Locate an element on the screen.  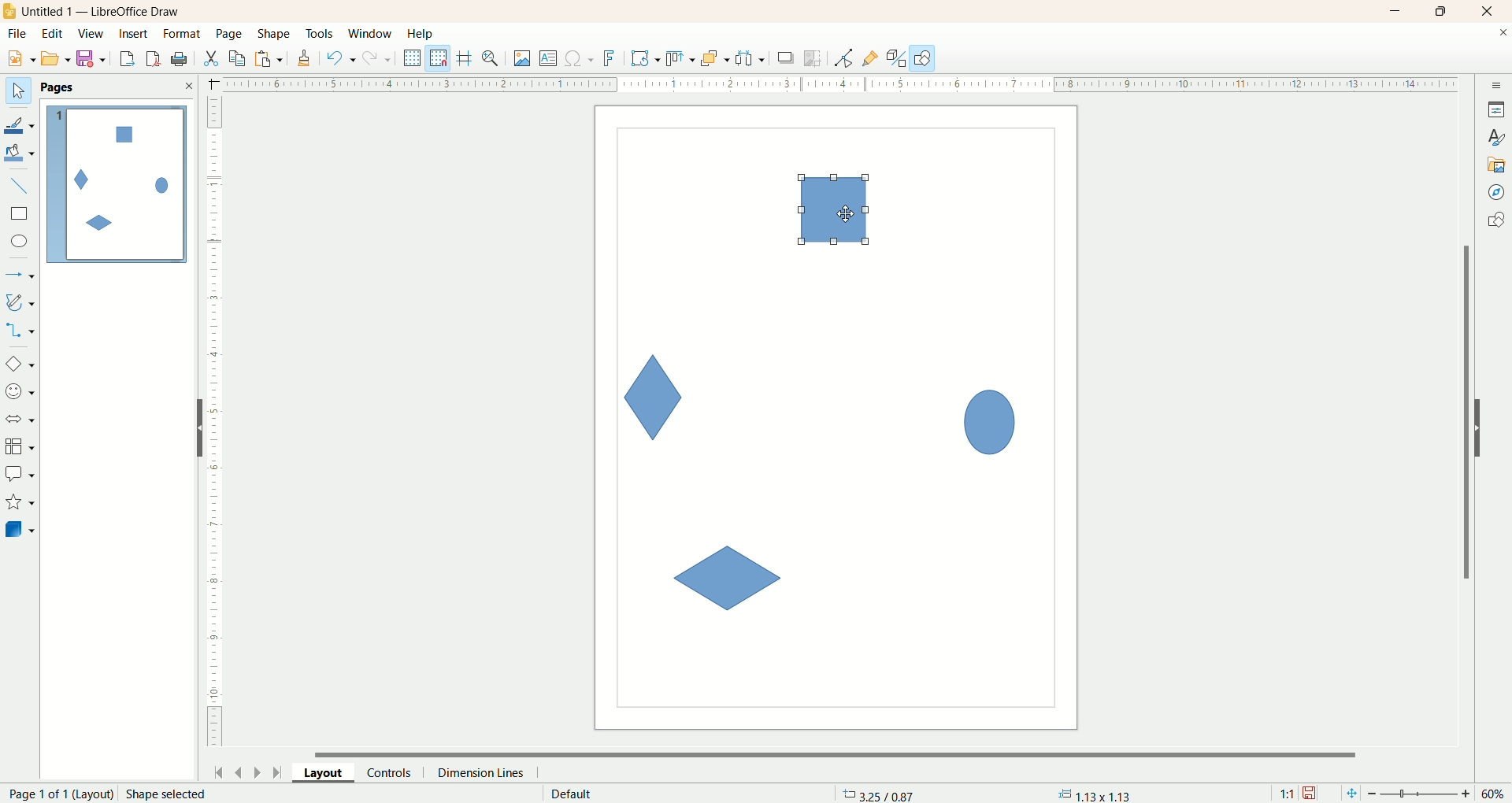
paste is located at coordinates (272, 57).